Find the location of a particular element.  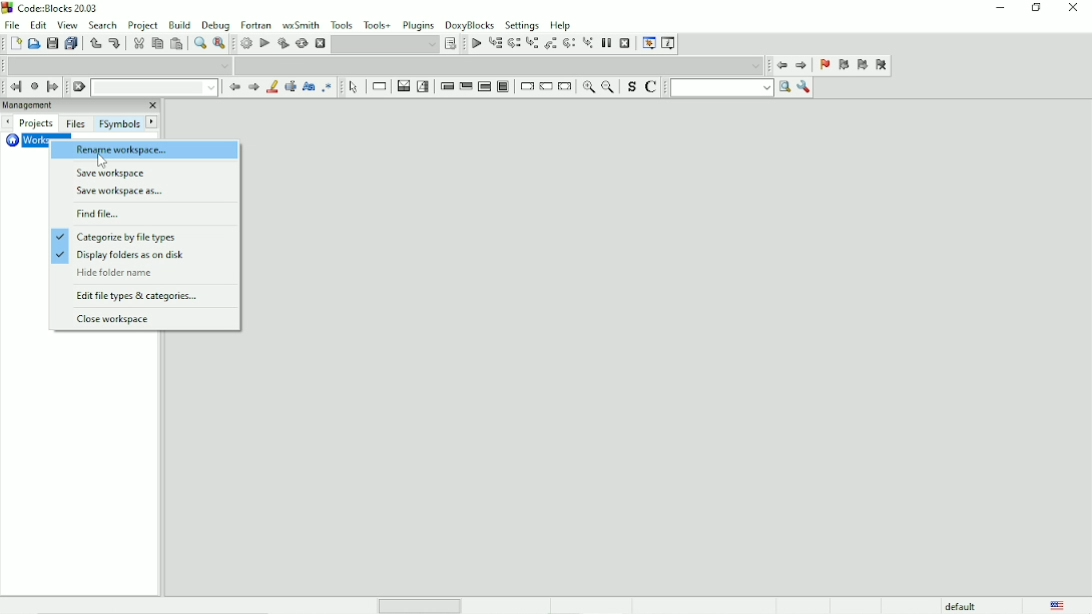

Break debugger is located at coordinates (607, 42).